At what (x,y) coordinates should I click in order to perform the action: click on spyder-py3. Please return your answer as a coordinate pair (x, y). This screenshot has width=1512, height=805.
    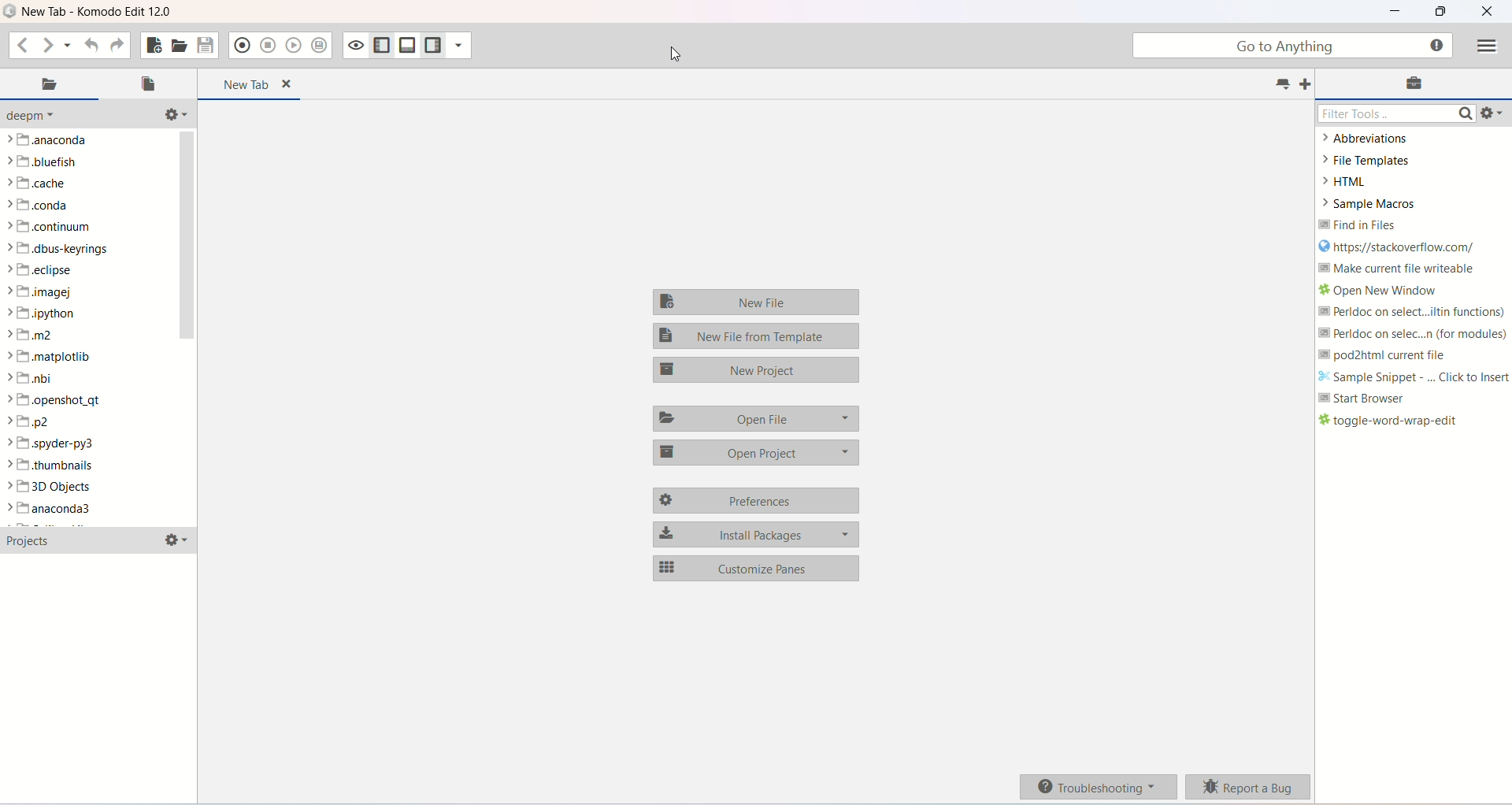
    Looking at the image, I should click on (54, 444).